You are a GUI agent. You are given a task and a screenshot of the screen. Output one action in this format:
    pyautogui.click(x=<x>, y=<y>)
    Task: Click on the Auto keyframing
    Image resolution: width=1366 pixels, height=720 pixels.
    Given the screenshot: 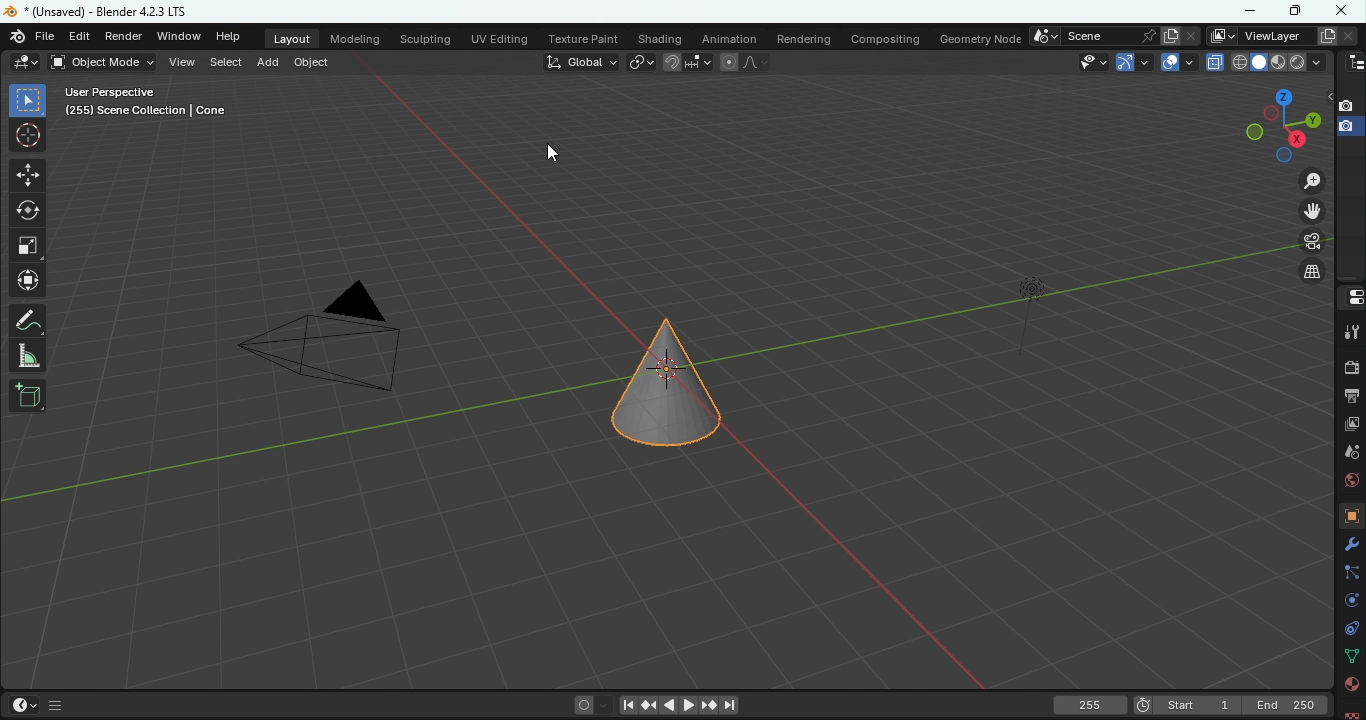 What is the action you would take?
    pyautogui.click(x=603, y=705)
    